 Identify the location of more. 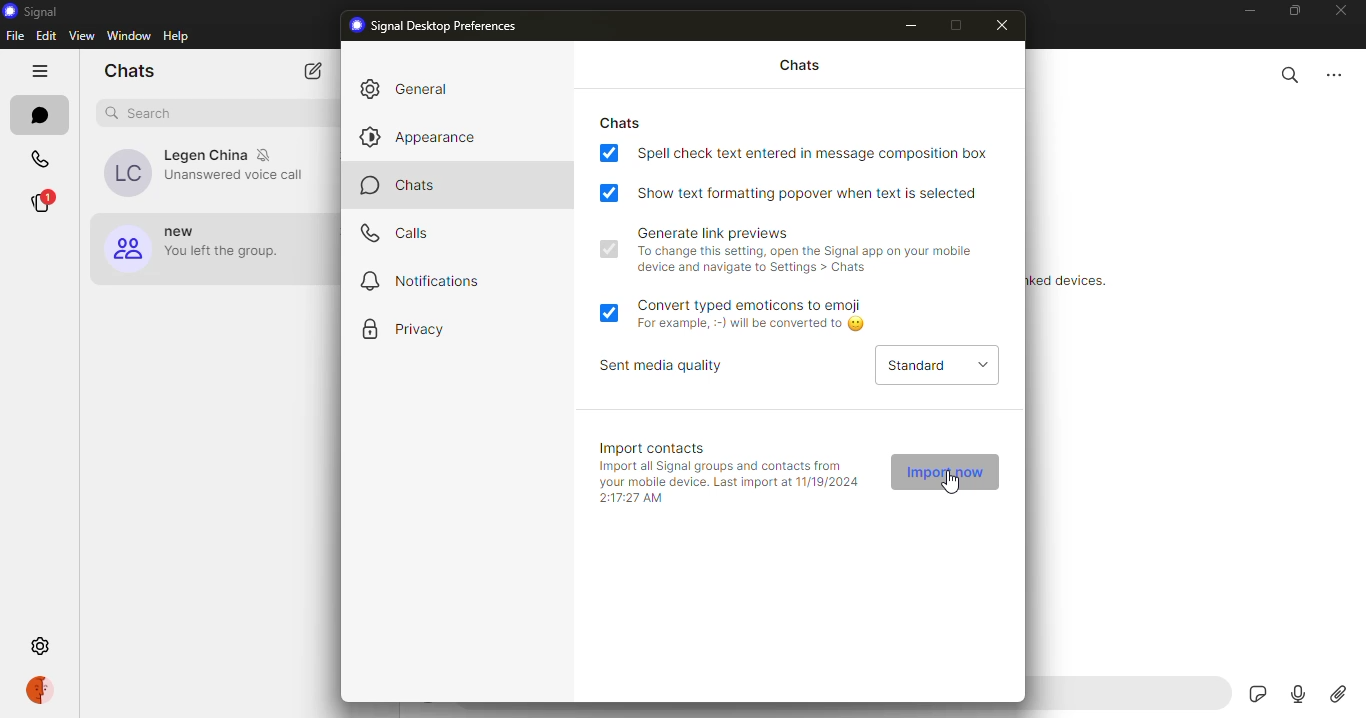
(1335, 75).